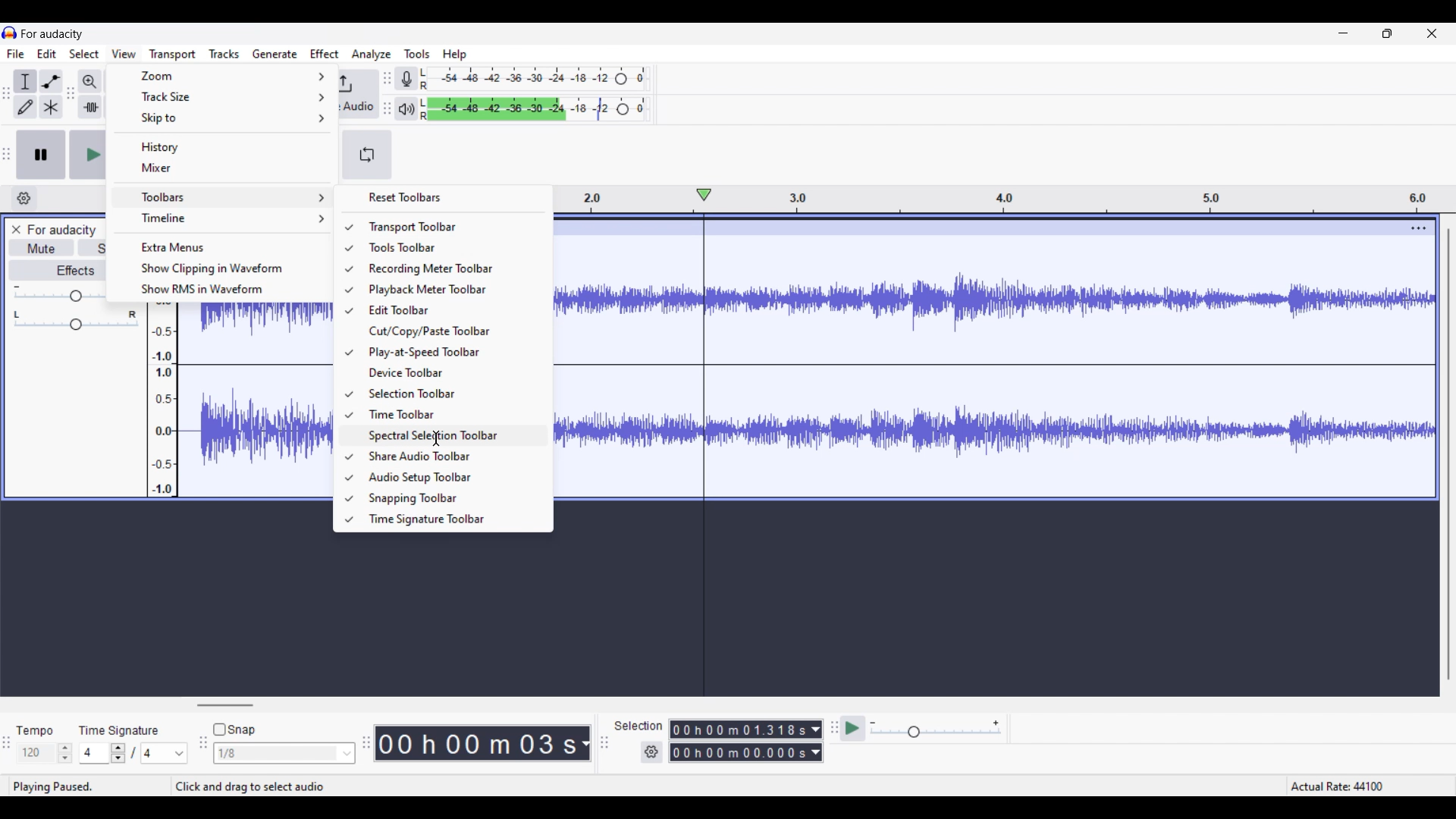 The image size is (1456, 819). I want to click on Recording level, so click(535, 79).